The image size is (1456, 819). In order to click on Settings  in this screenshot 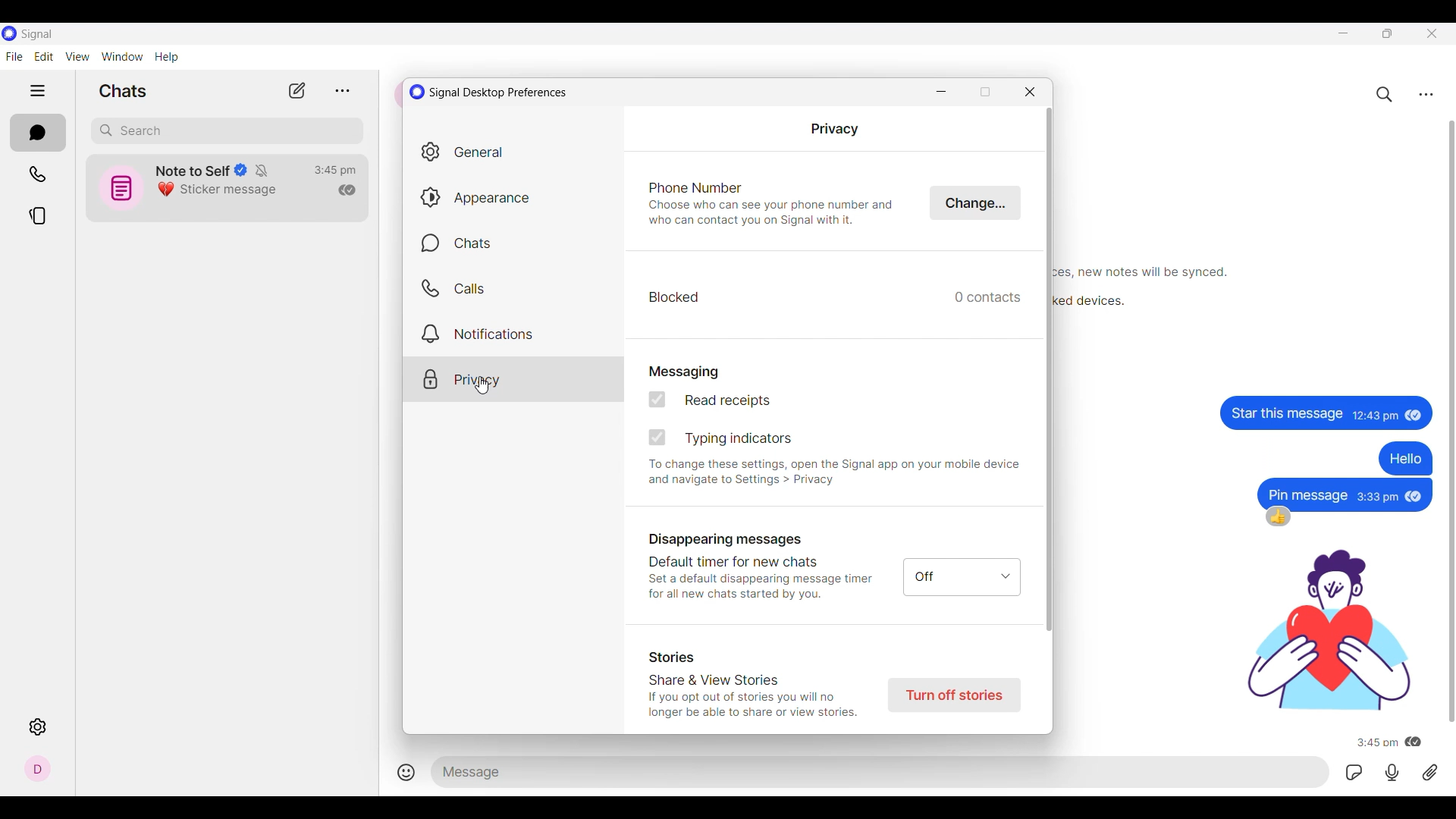, I will do `click(36, 727)`.